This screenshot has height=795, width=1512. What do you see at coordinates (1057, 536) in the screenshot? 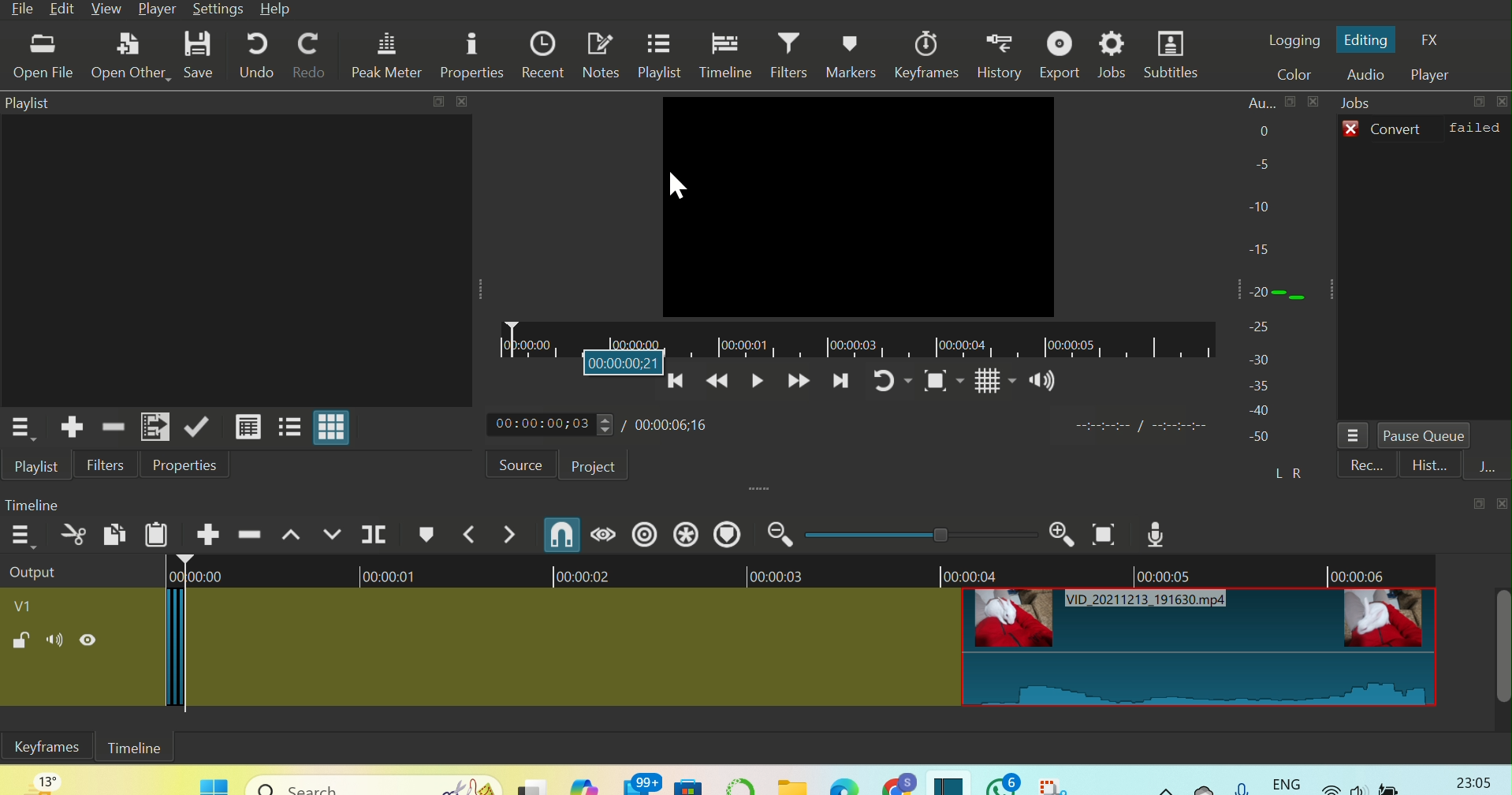
I see `Zoom up` at bounding box center [1057, 536].